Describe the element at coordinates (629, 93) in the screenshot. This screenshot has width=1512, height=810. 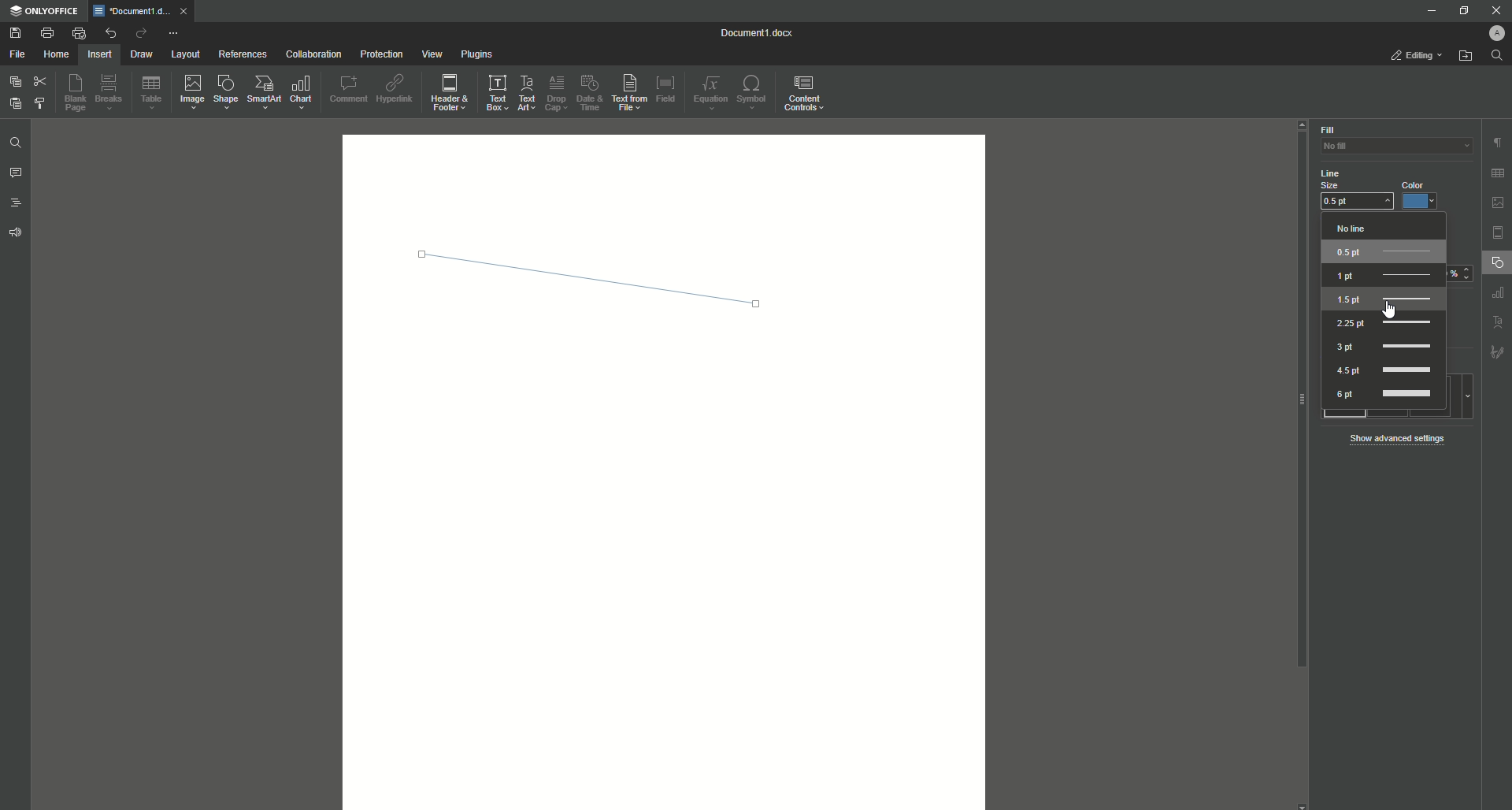
I see `Text From File` at that location.